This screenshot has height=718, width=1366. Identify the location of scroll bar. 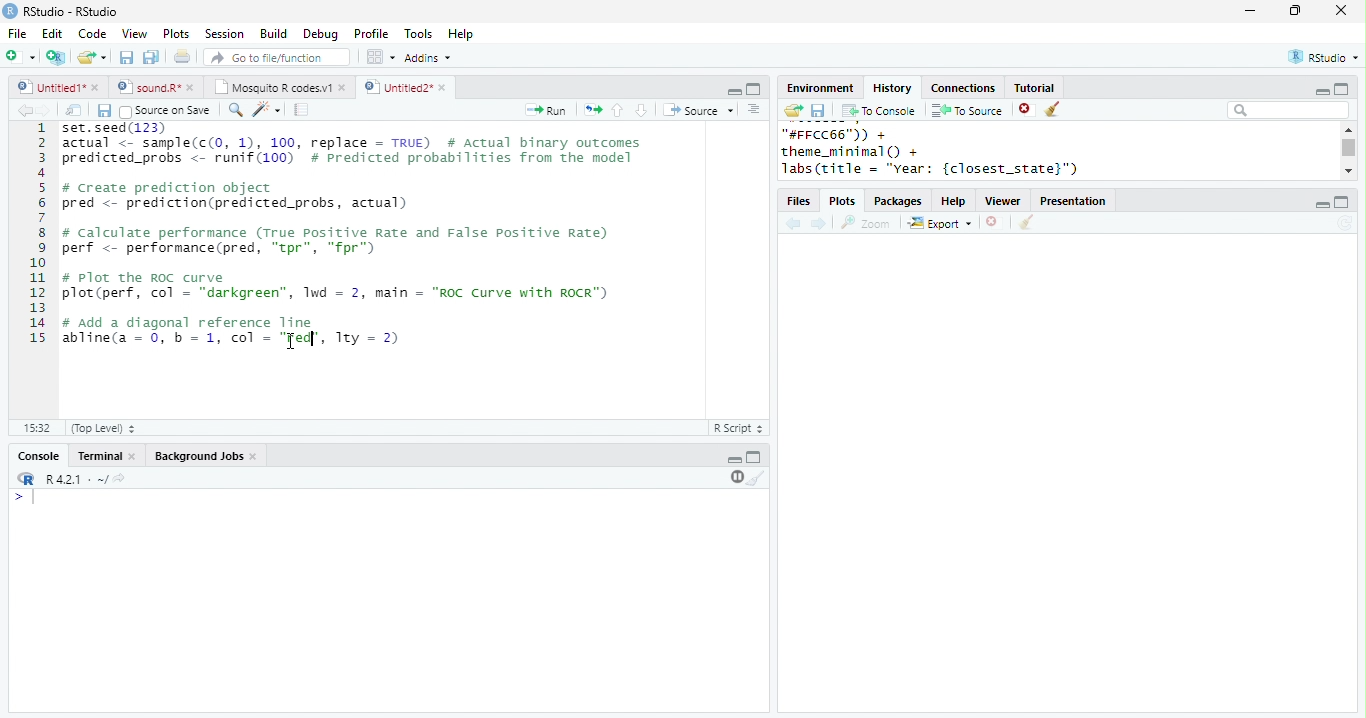
(1350, 148).